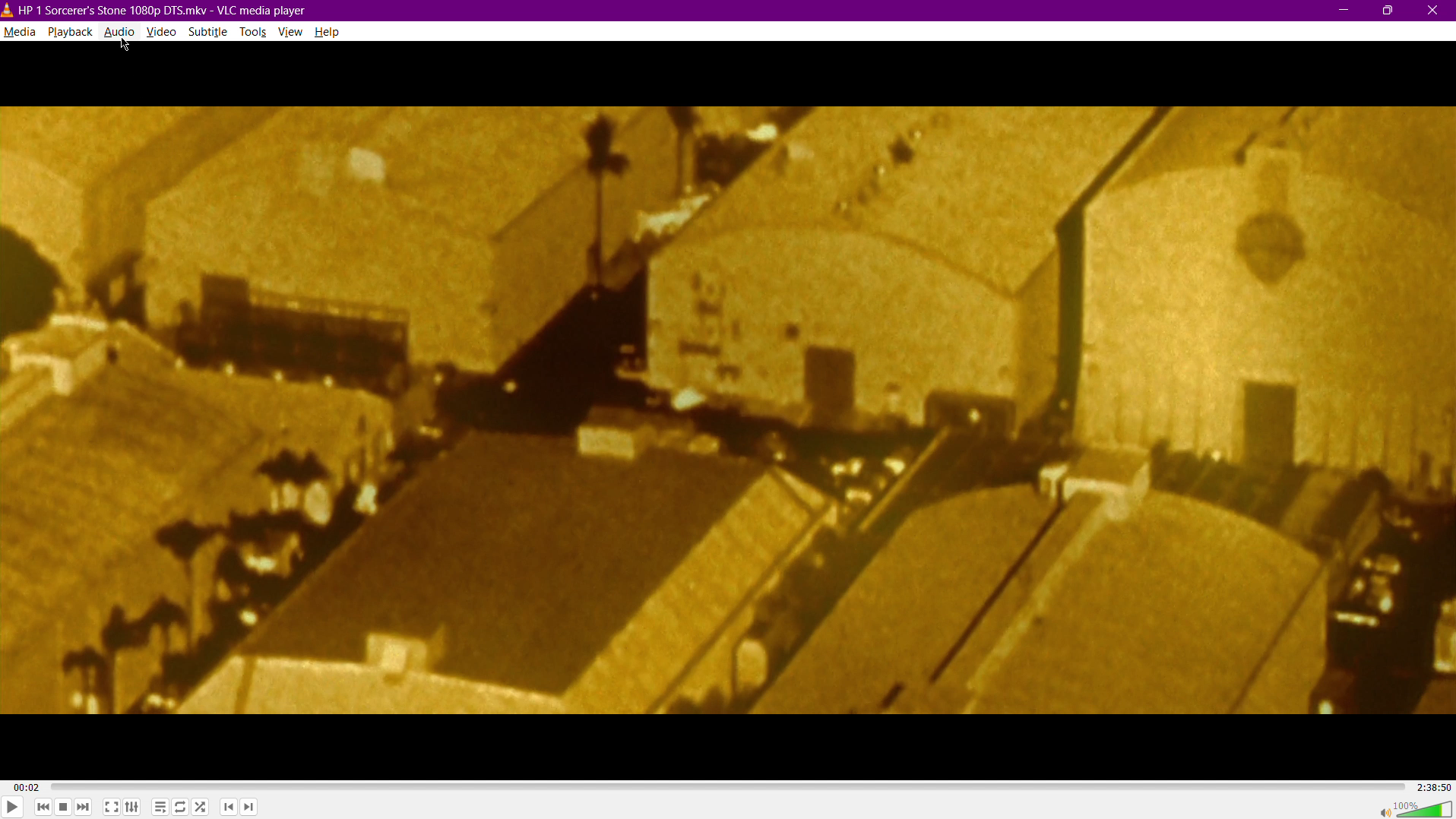 This screenshot has width=1456, height=819. Describe the element at coordinates (125, 43) in the screenshot. I see `Cursor` at that location.